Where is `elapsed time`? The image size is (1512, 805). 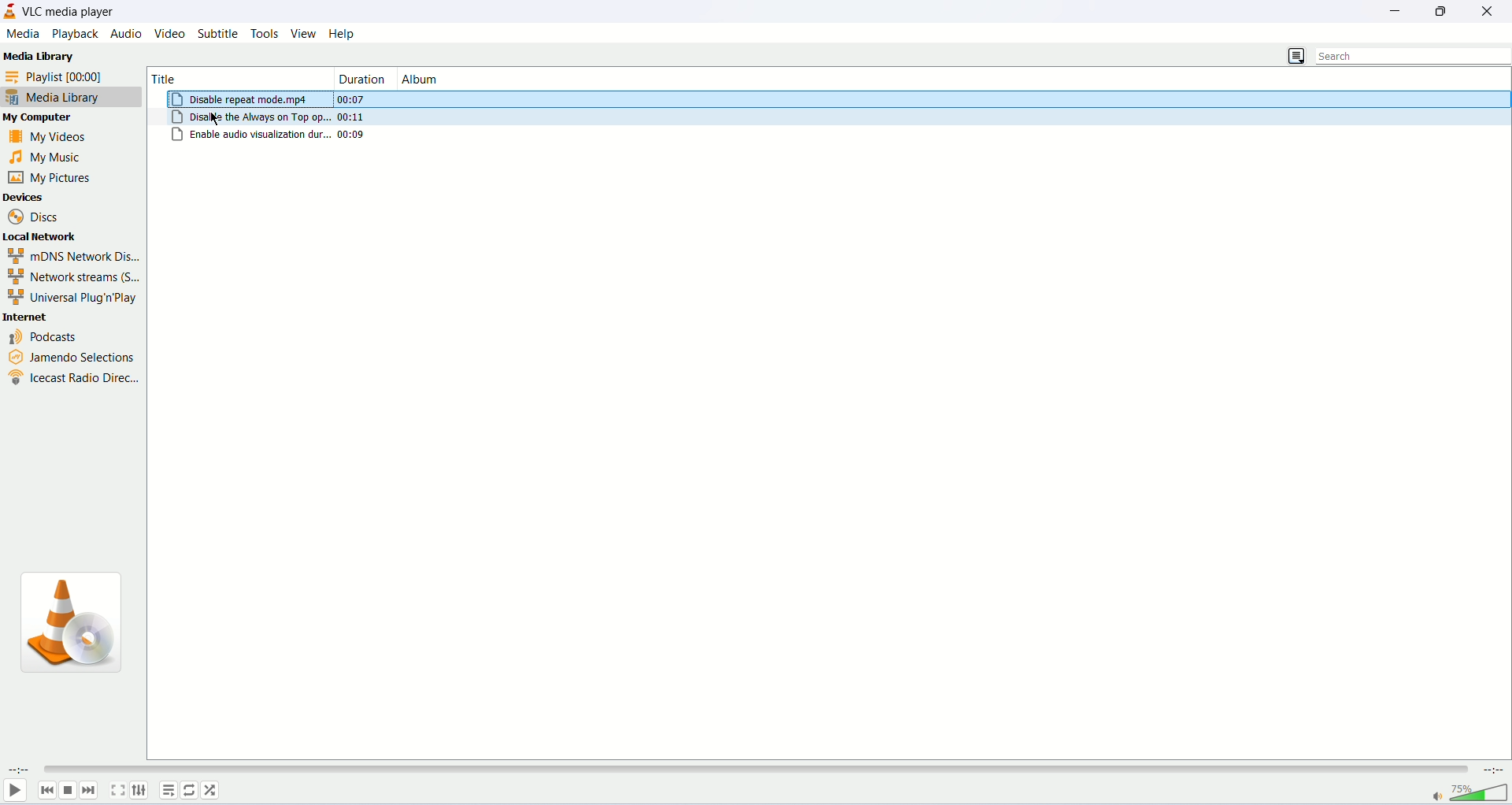 elapsed time is located at coordinates (19, 769).